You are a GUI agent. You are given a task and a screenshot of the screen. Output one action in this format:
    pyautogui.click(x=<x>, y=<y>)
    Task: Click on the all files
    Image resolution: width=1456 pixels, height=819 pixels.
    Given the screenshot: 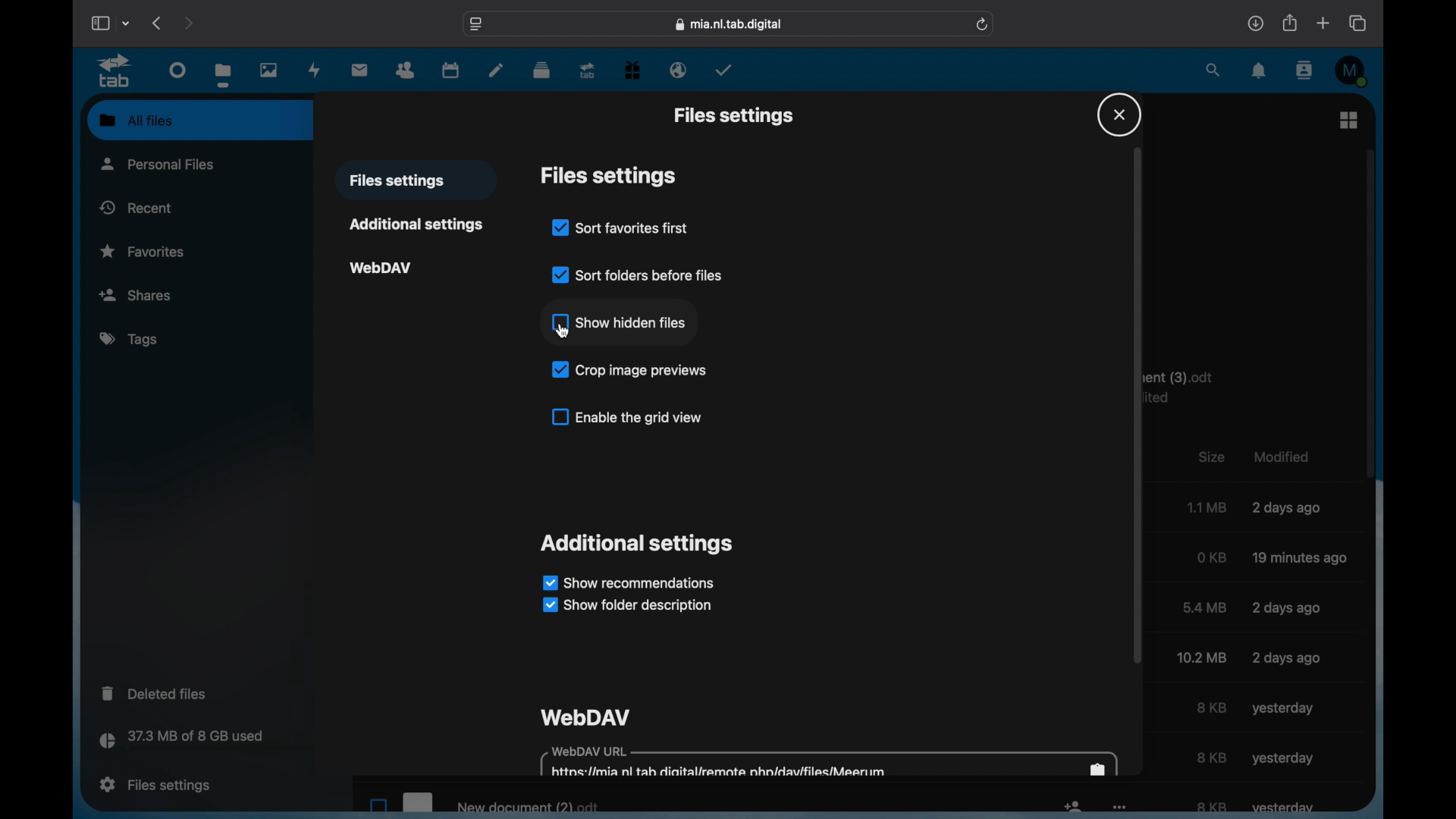 What is the action you would take?
    pyautogui.click(x=136, y=120)
    